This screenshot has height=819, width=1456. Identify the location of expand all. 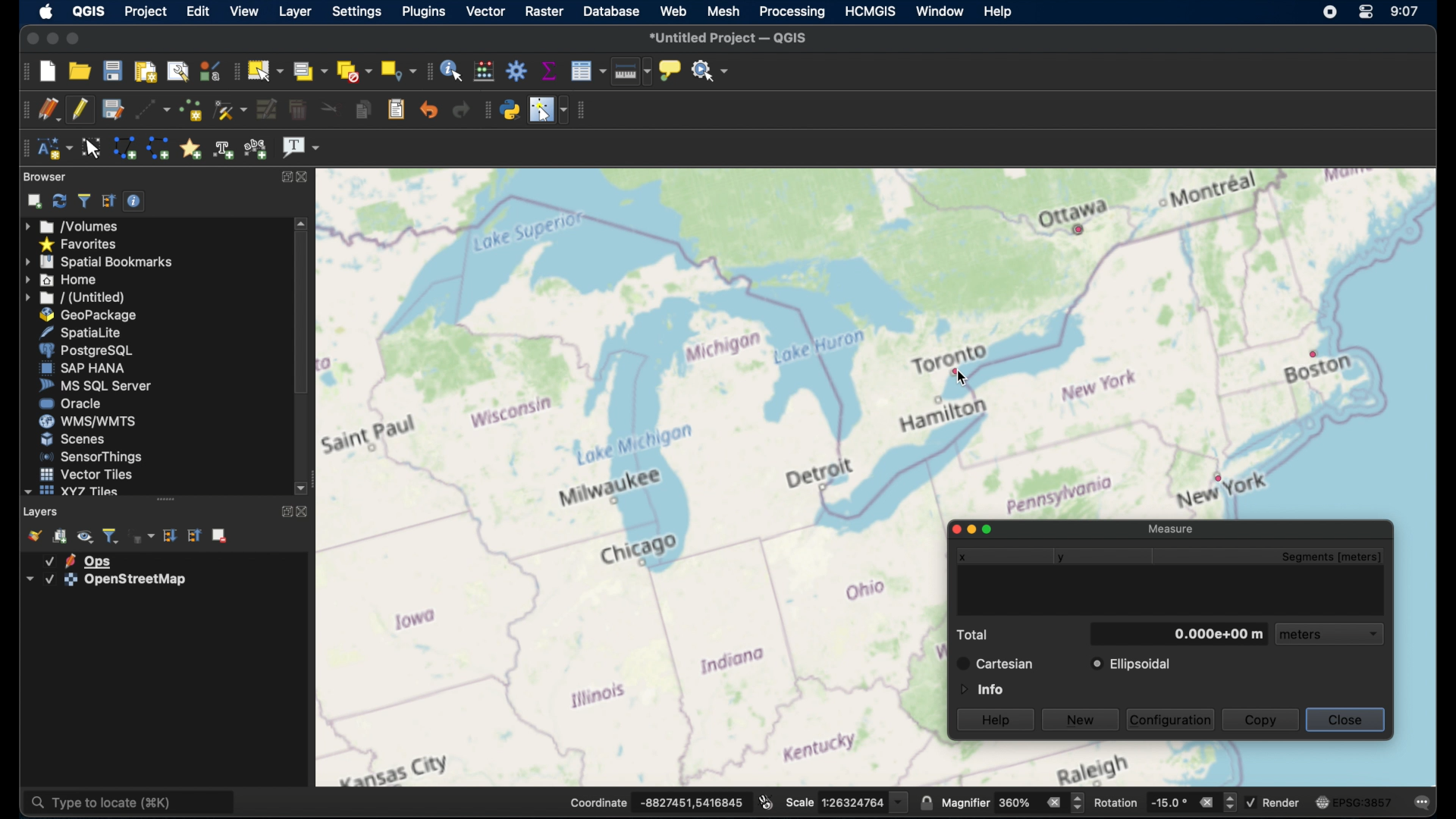
(171, 535).